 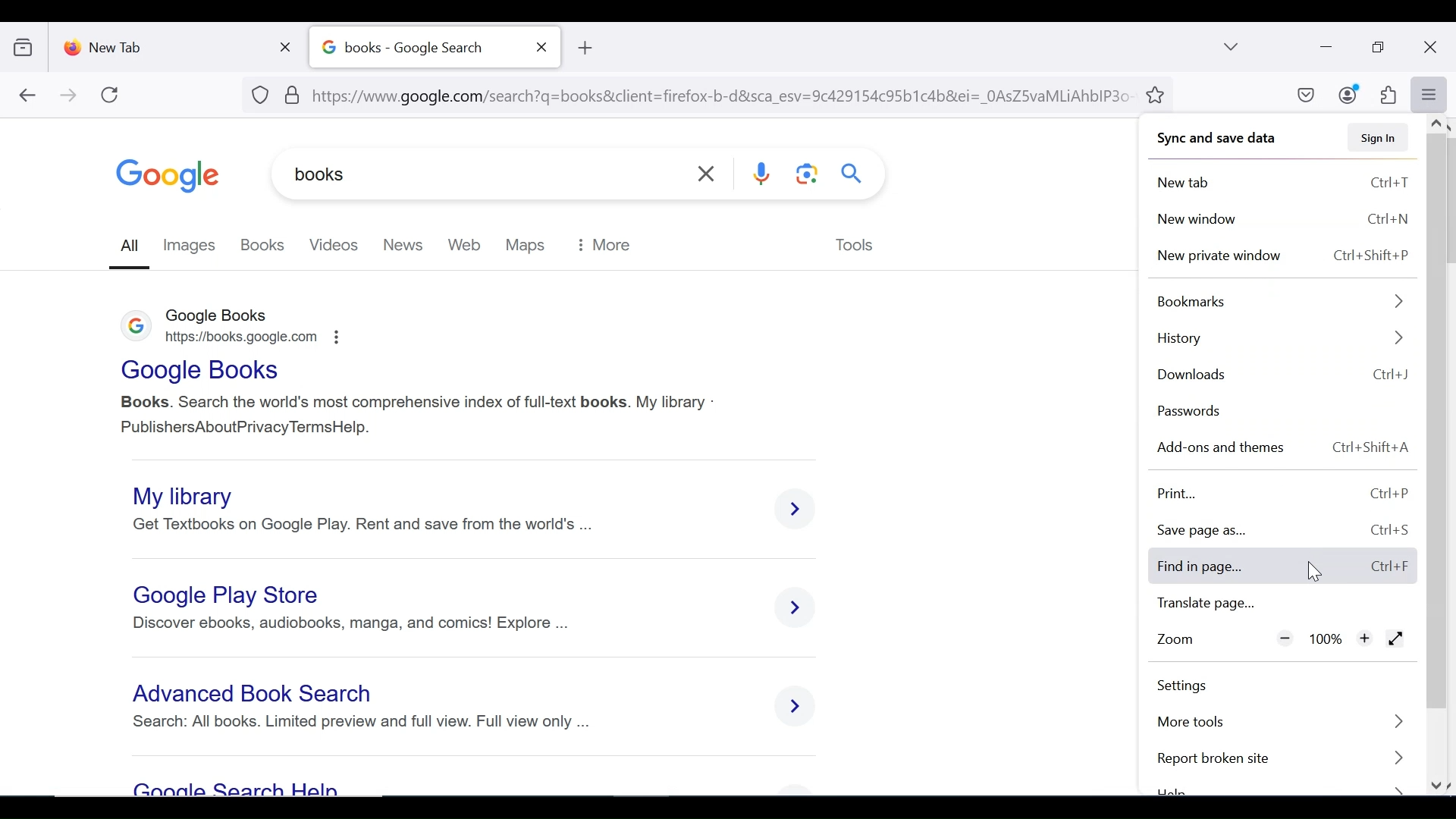 What do you see at coordinates (693, 93) in the screenshot?
I see `url` at bounding box center [693, 93].